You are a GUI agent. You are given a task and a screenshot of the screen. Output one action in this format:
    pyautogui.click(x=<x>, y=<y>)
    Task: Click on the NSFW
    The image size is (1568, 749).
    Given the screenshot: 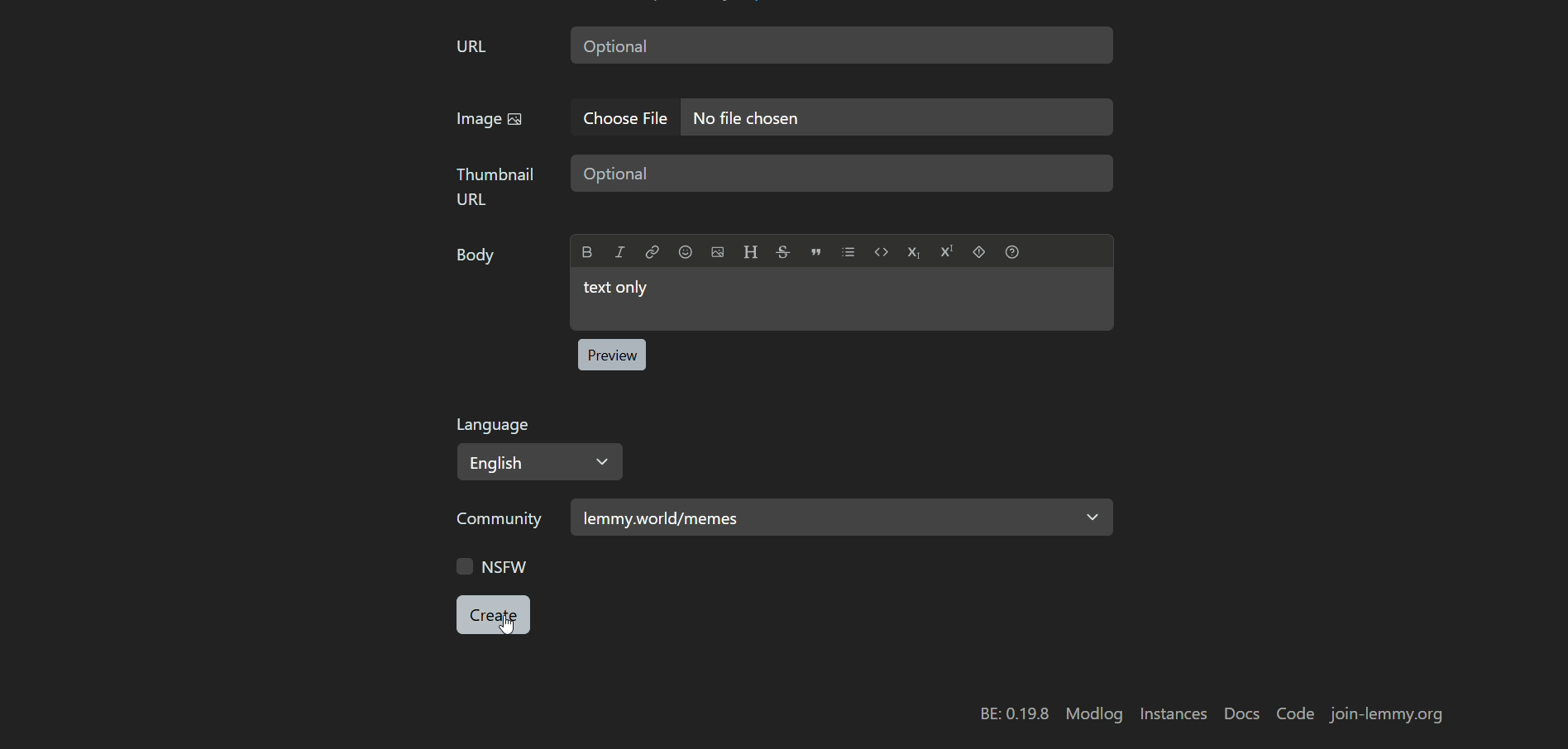 What is the action you would take?
    pyautogui.click(x=492, y=565)
    